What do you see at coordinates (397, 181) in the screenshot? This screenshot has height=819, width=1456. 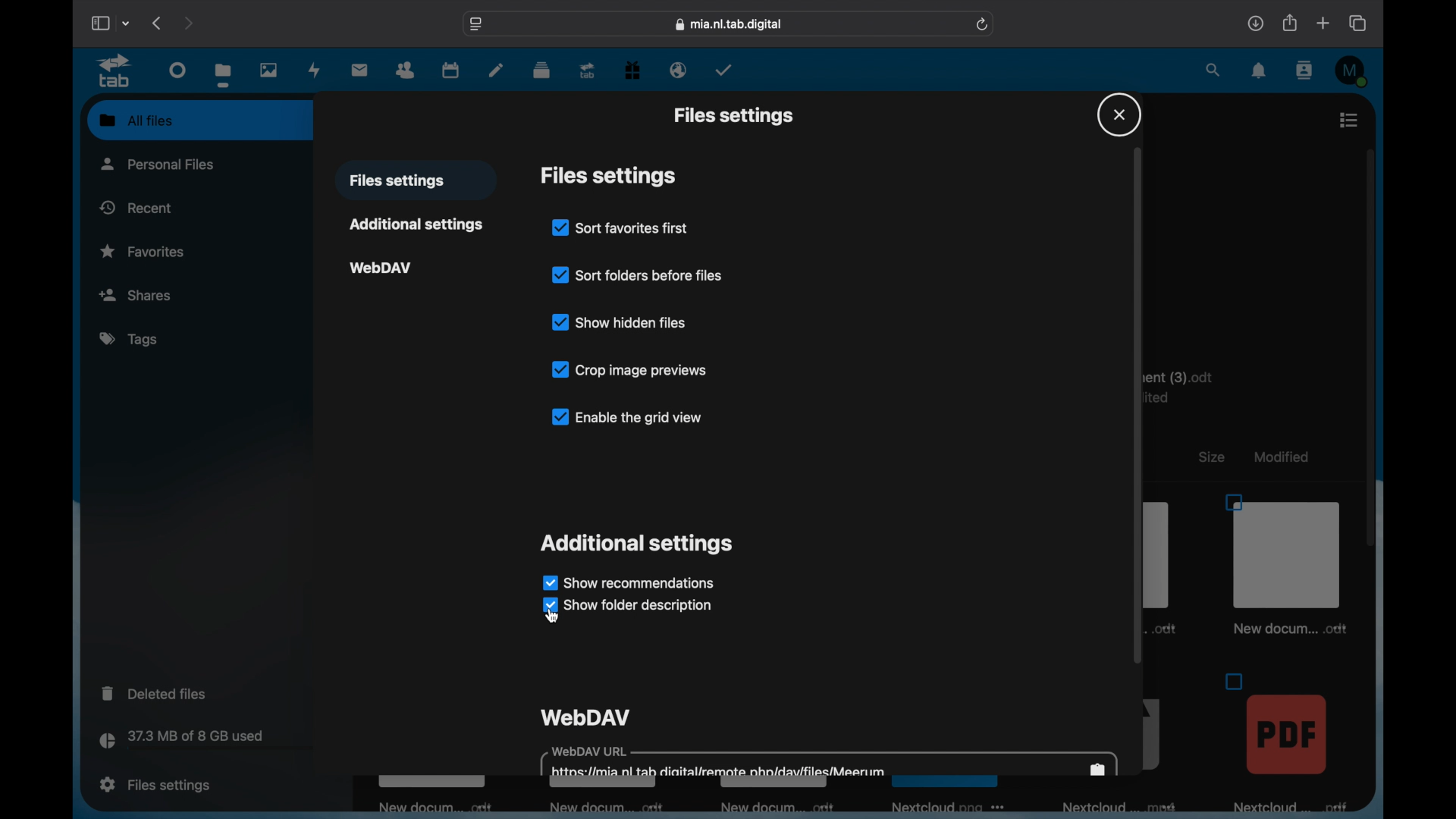 I see `files settings` at bounding box center [397, 181].